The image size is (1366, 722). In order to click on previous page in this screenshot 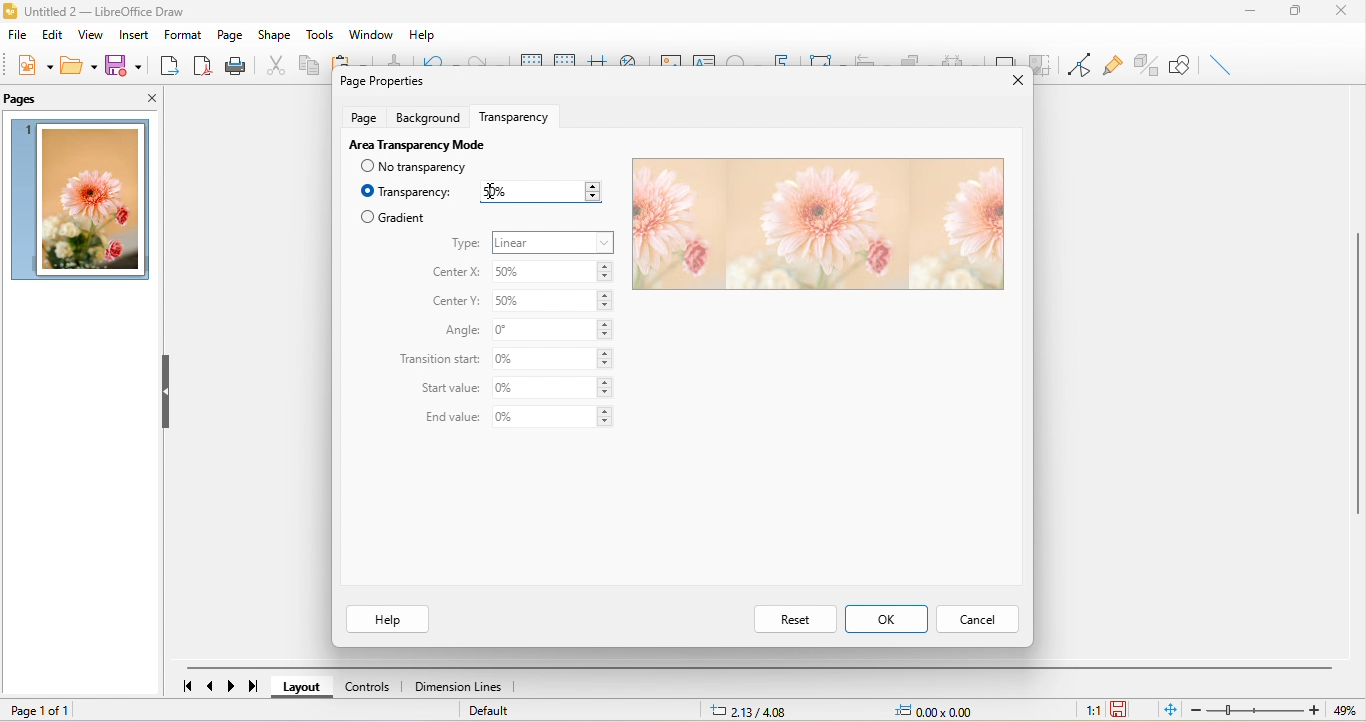, I will do `click(213, 684)`.